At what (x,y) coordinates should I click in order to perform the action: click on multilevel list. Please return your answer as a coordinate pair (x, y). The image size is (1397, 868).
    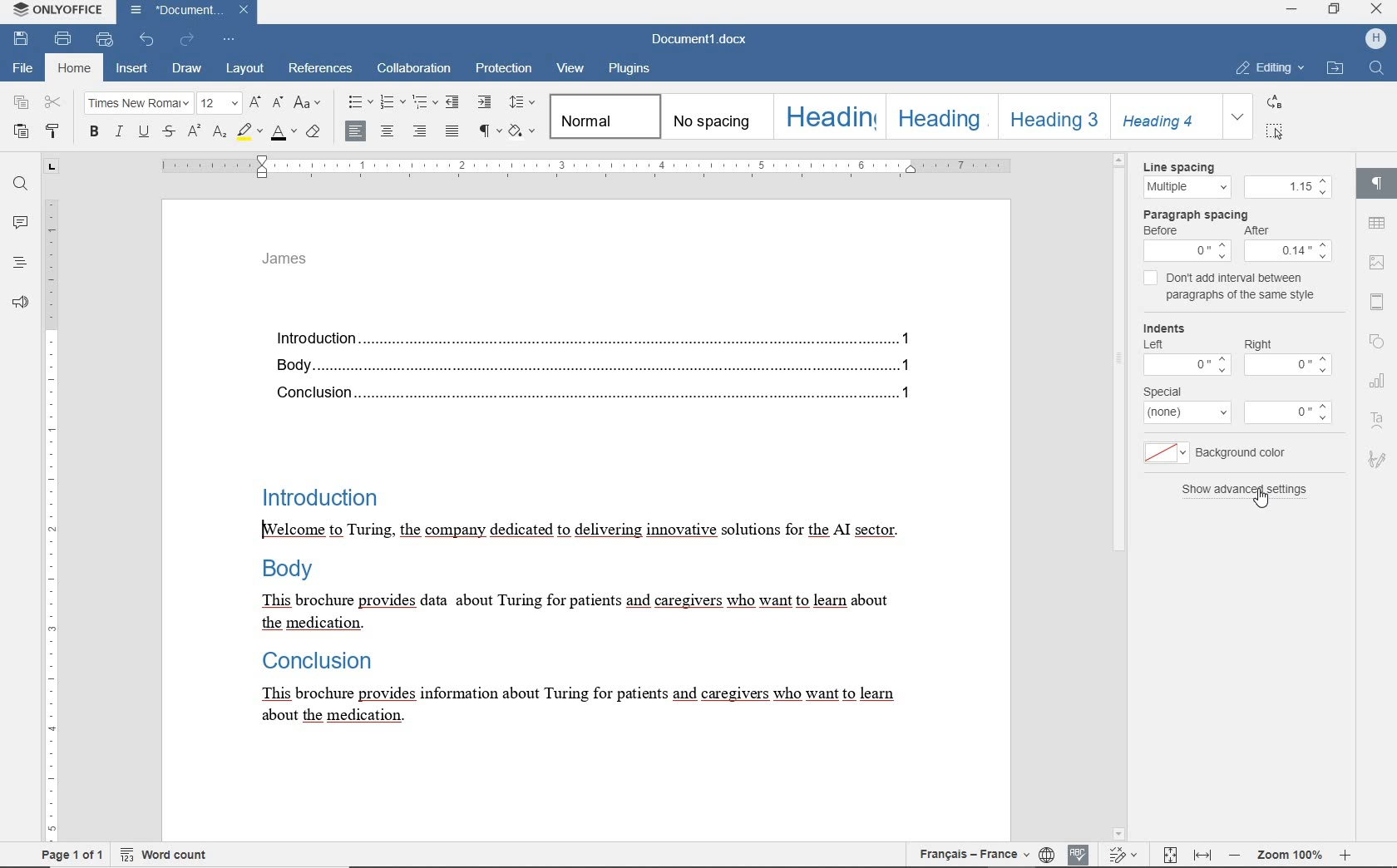
    Looking at the image, I should click on (427, 102).